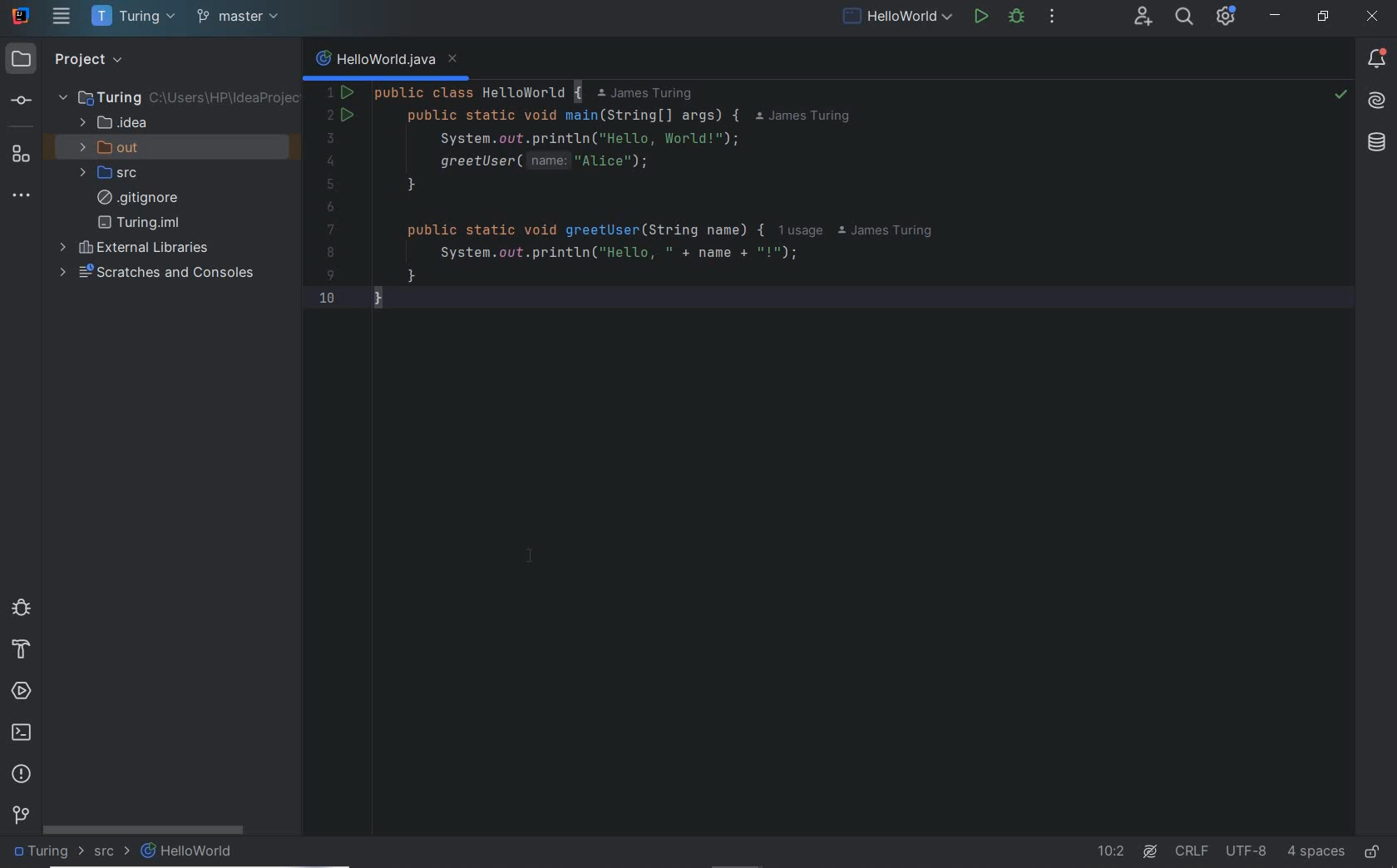 This screenshot has width=1397, height=868. I want to click on build, so click(19, 650).